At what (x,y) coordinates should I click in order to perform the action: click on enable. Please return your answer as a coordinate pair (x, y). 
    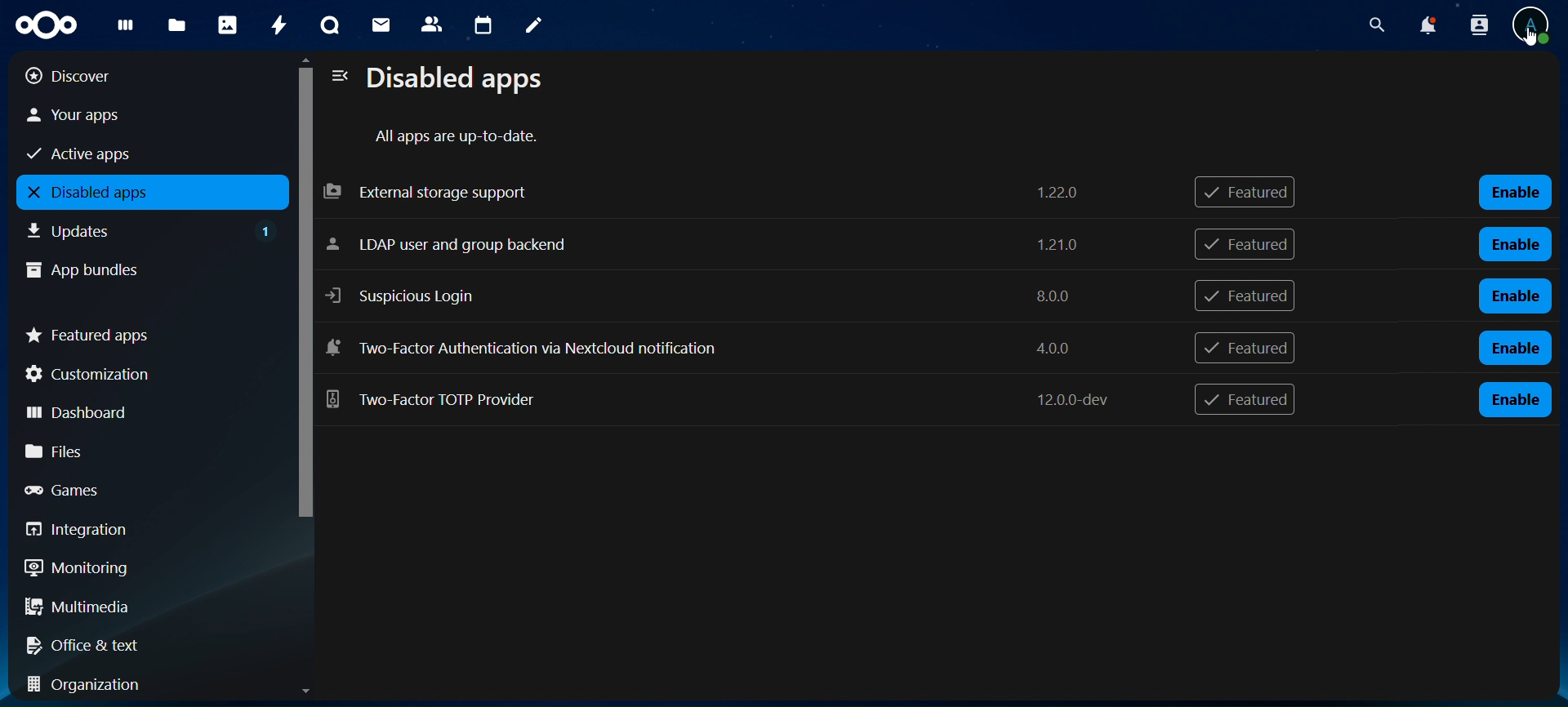
    Looking at the image, I should click on (1515, 295).